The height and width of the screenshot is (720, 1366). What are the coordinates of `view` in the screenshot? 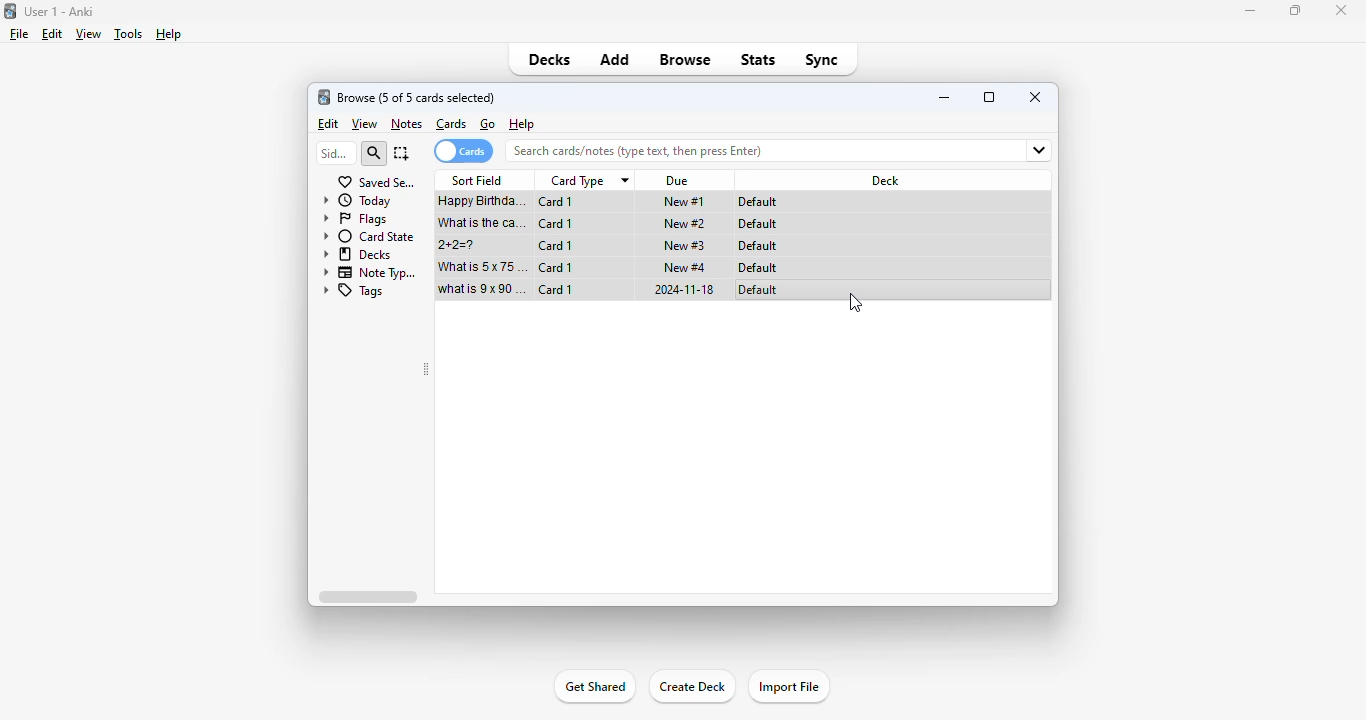 It's located at (89, 34).